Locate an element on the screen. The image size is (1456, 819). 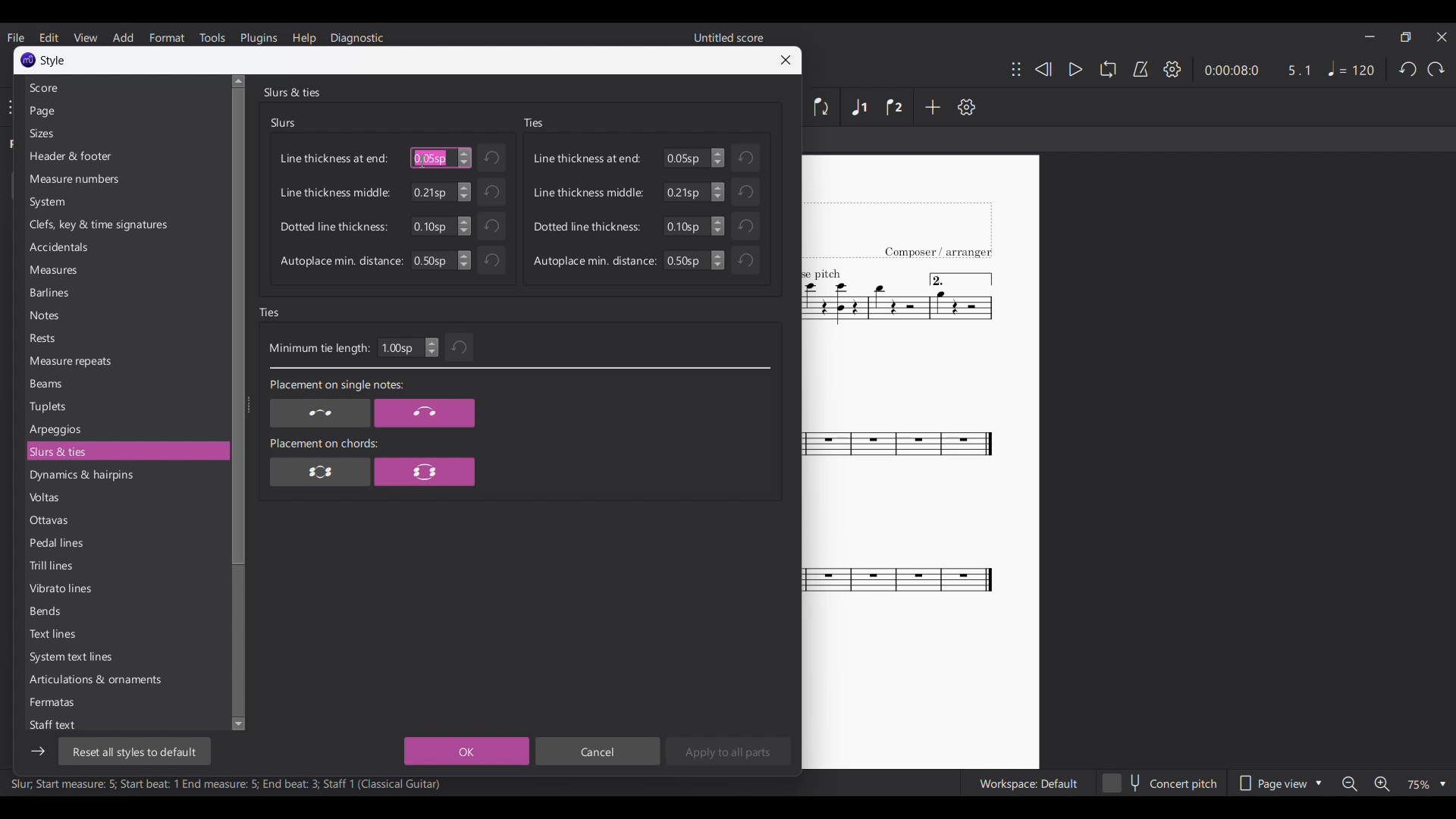
Line thickness at end is located at coordinates (588, 158).